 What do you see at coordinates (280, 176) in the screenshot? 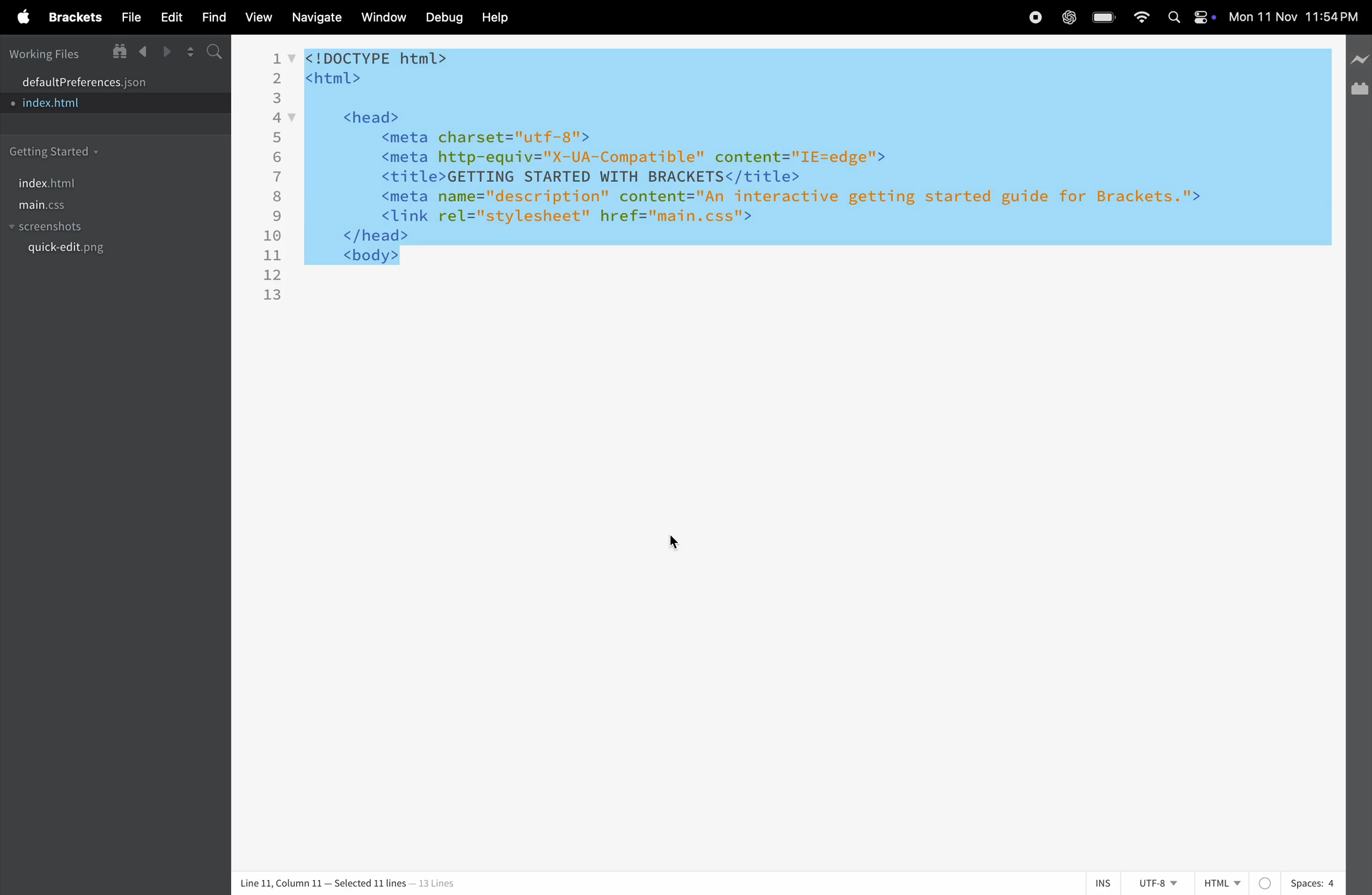
I see `7` at bounding box center [280, 176].